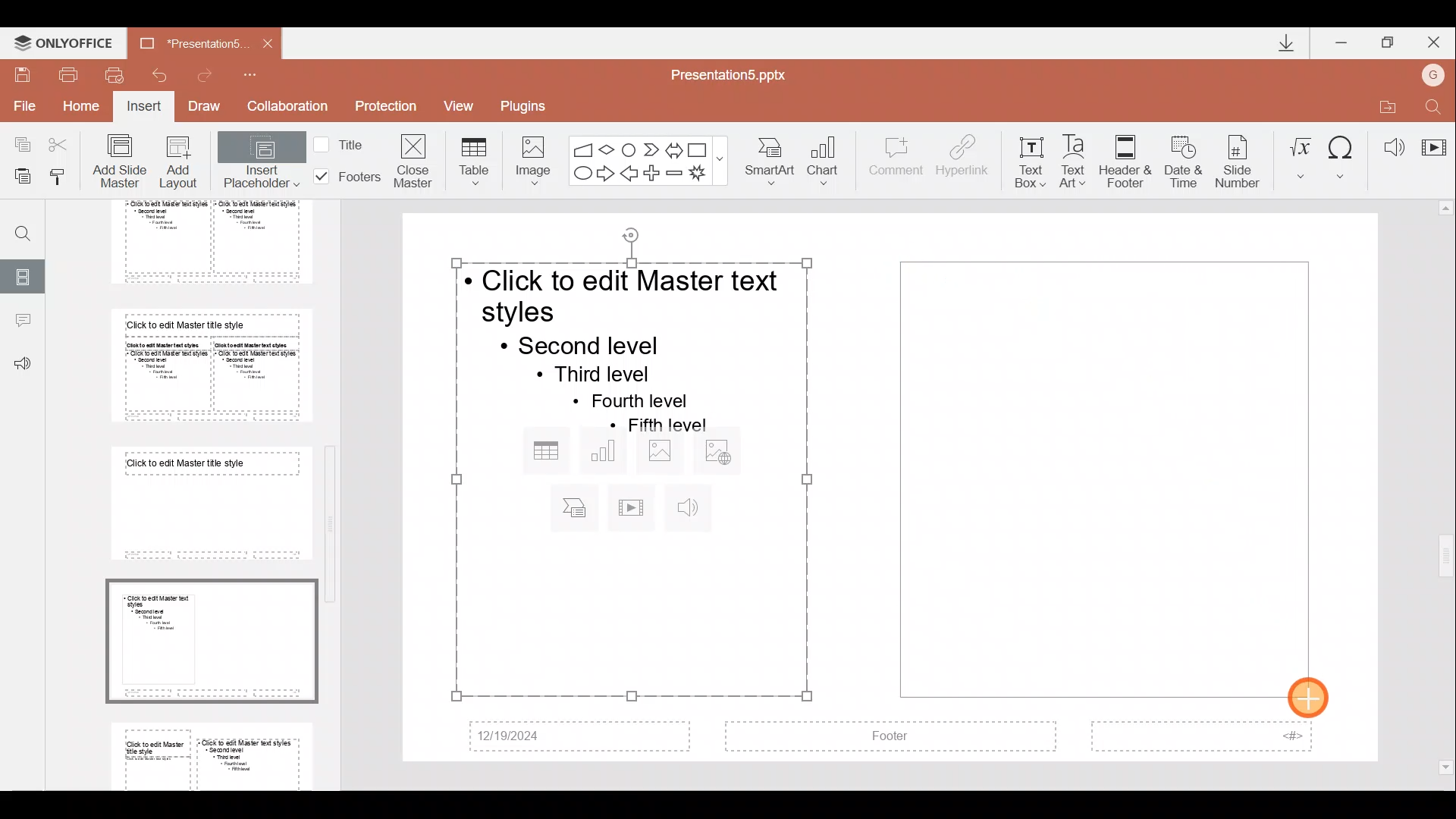 Image resolution: width=1456 pixels, height=819 pixels. I want to click on Account name, so click(1436, 73).